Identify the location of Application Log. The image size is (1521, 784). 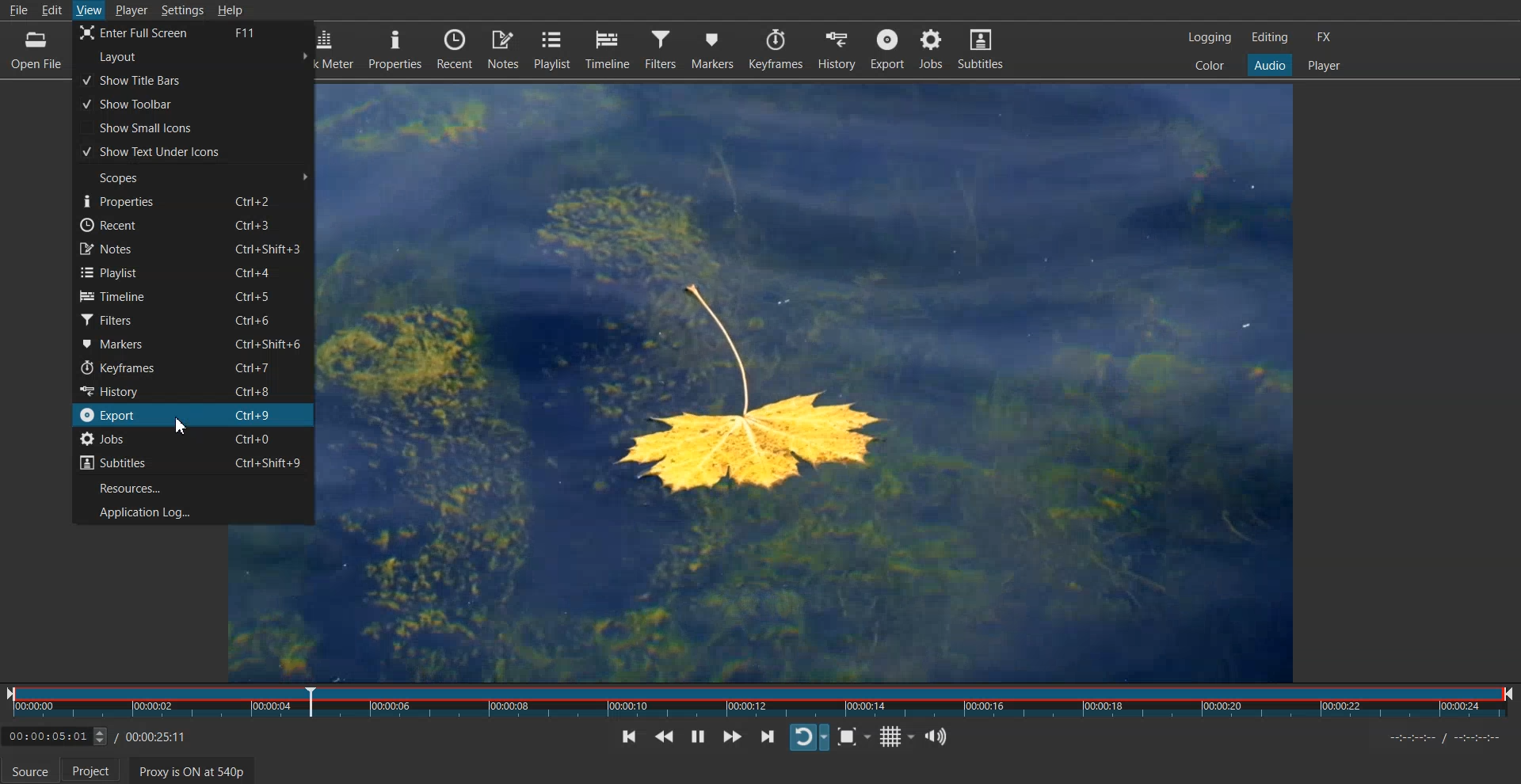
(192, 512).